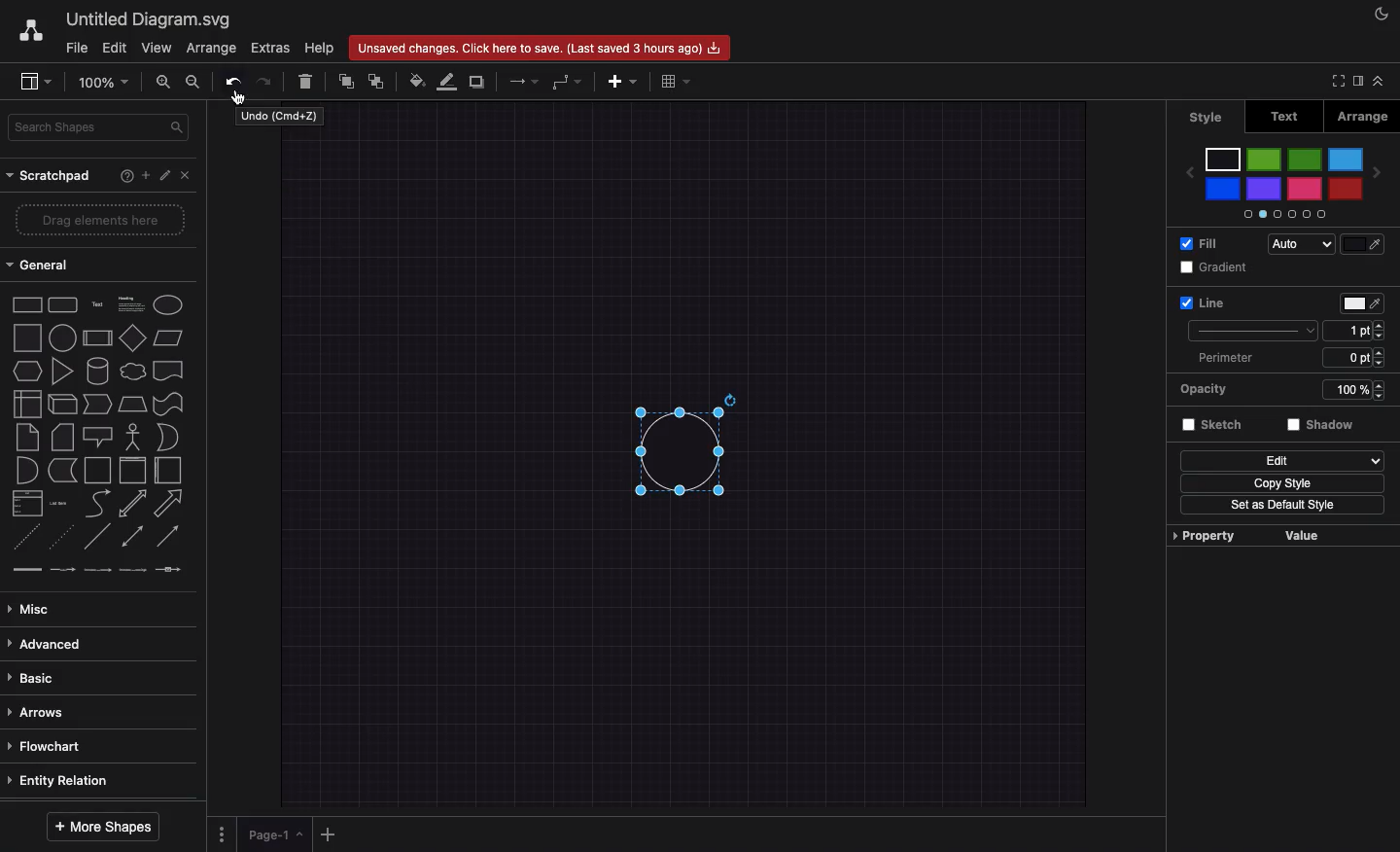 The width and height of the screenshot is (1400, 852). What do you see at coordinates (239, 98) in the screenshot?
I see `Cursor on undo` at bounding box center [239, 98].